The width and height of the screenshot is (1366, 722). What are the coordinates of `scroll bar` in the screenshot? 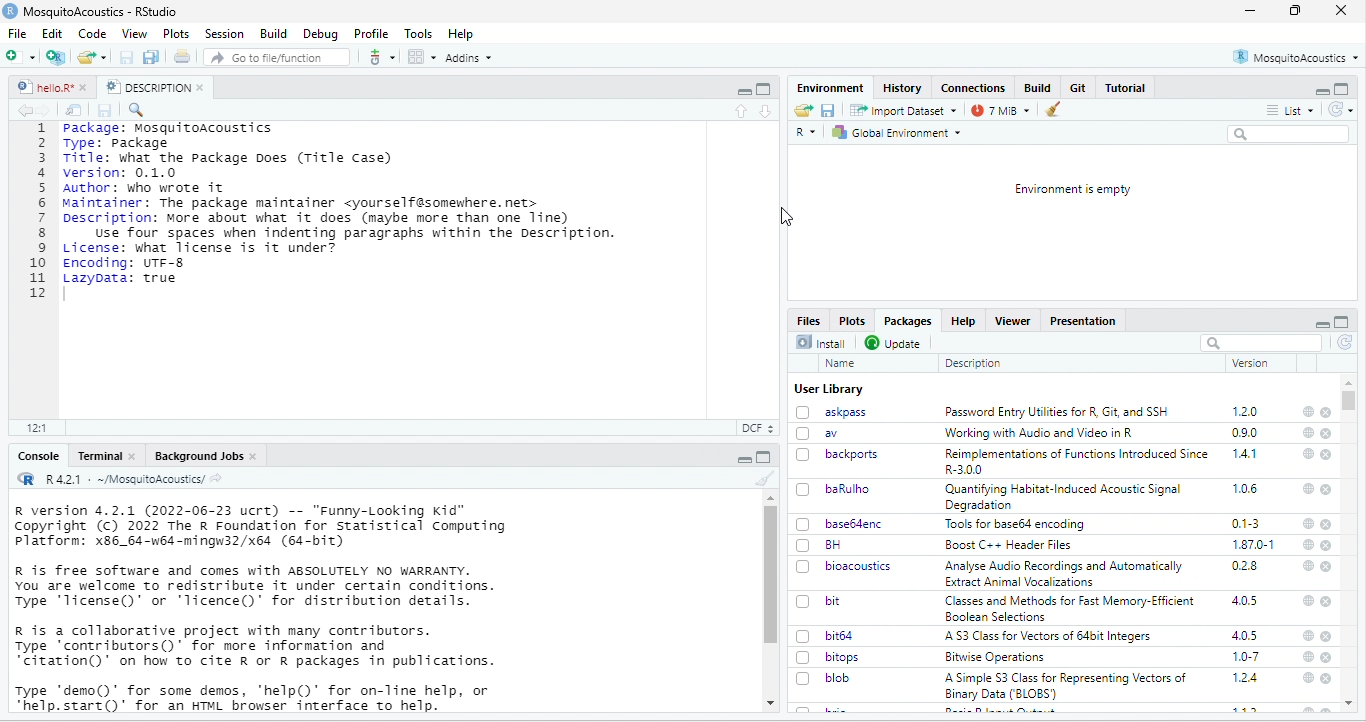 It's located at (772, 575).